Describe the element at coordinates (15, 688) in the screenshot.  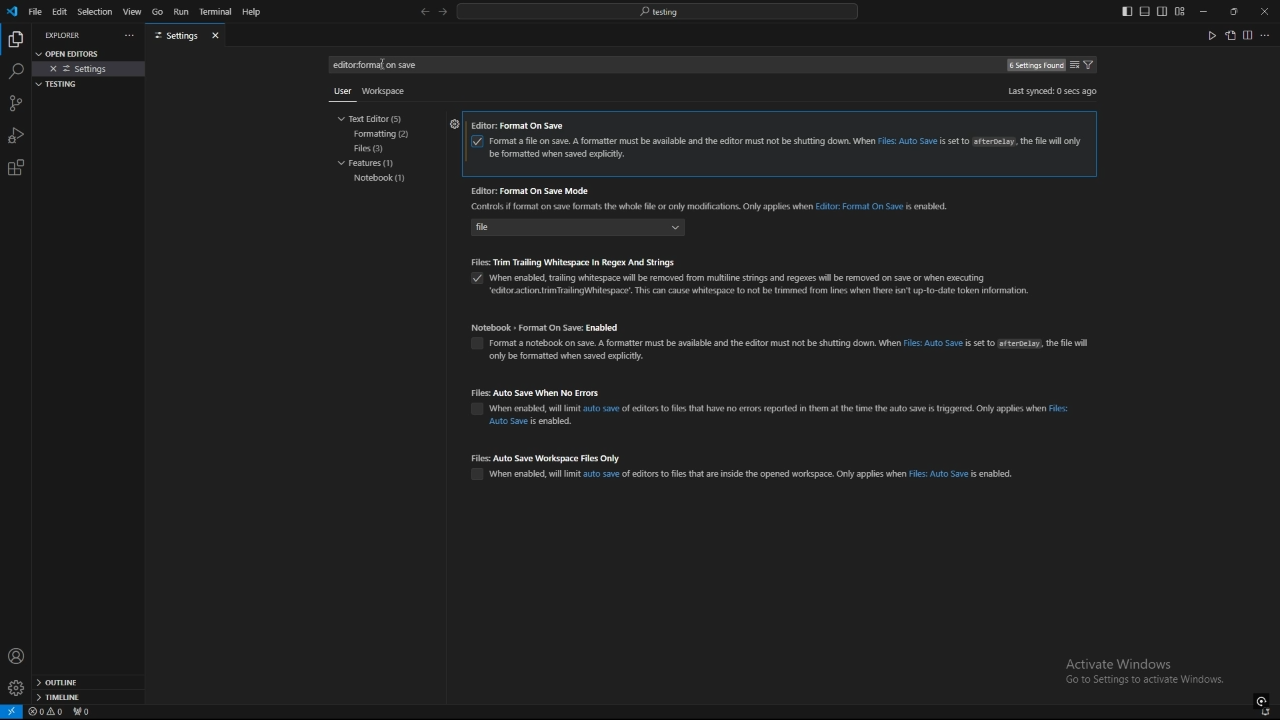
I see `settings` at that location.